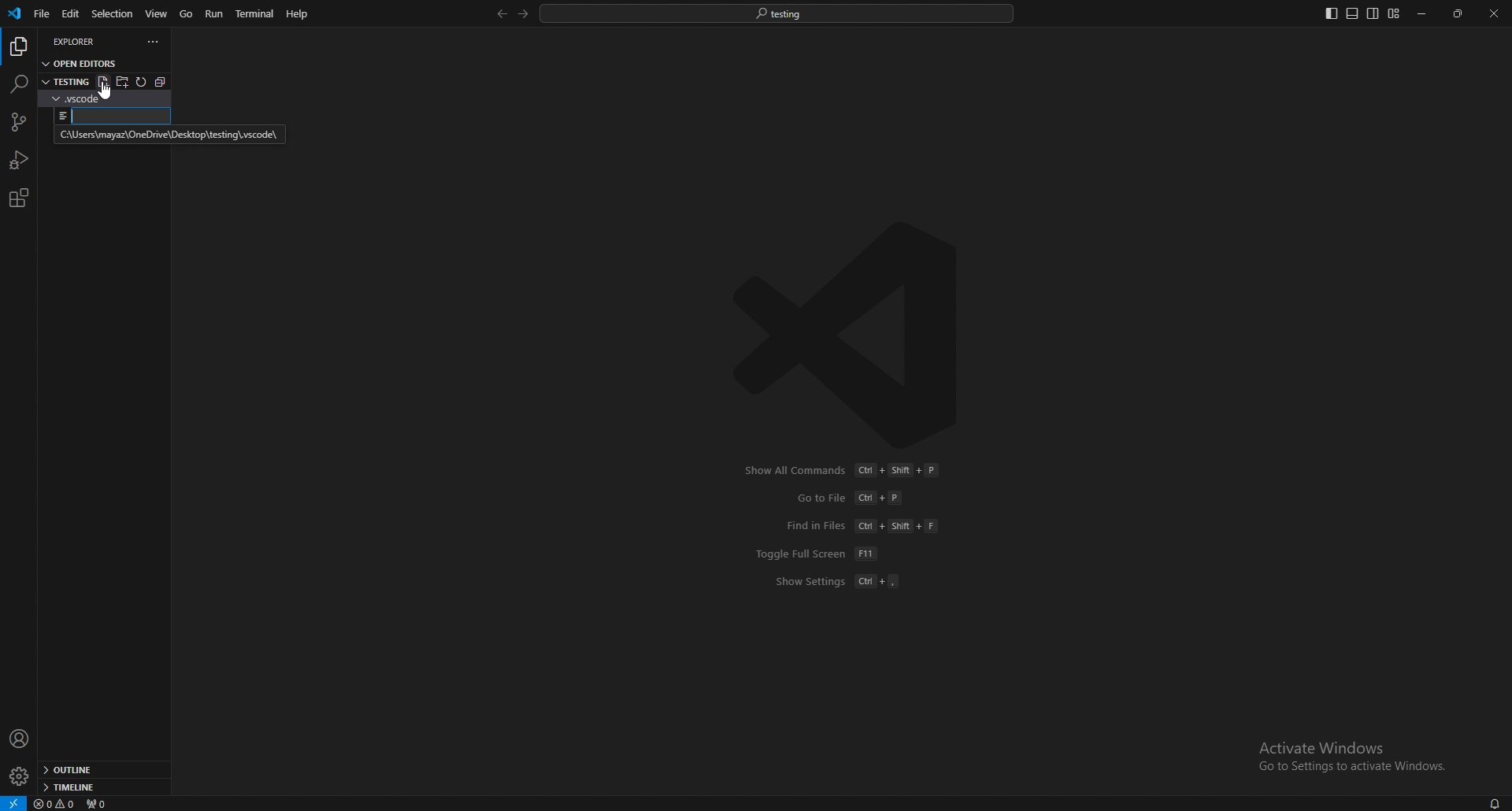 This screenshot has height=811, width=1512. What do you see at coordinates (18, 777) in the screenshot?
I see `settings` at bounding box center [18, 777].